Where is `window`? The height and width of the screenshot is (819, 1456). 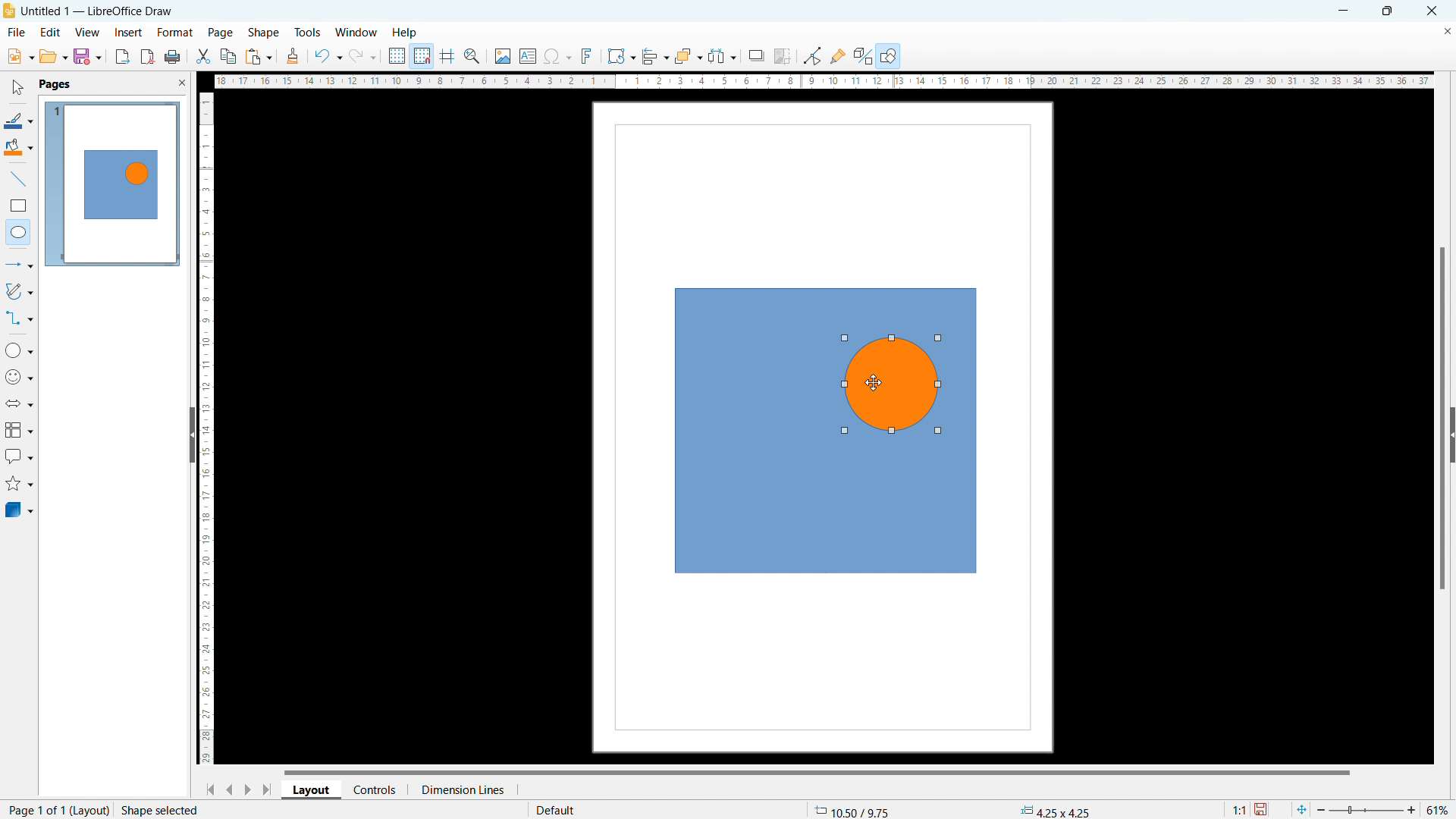 window is located at coordinates (357, 33).